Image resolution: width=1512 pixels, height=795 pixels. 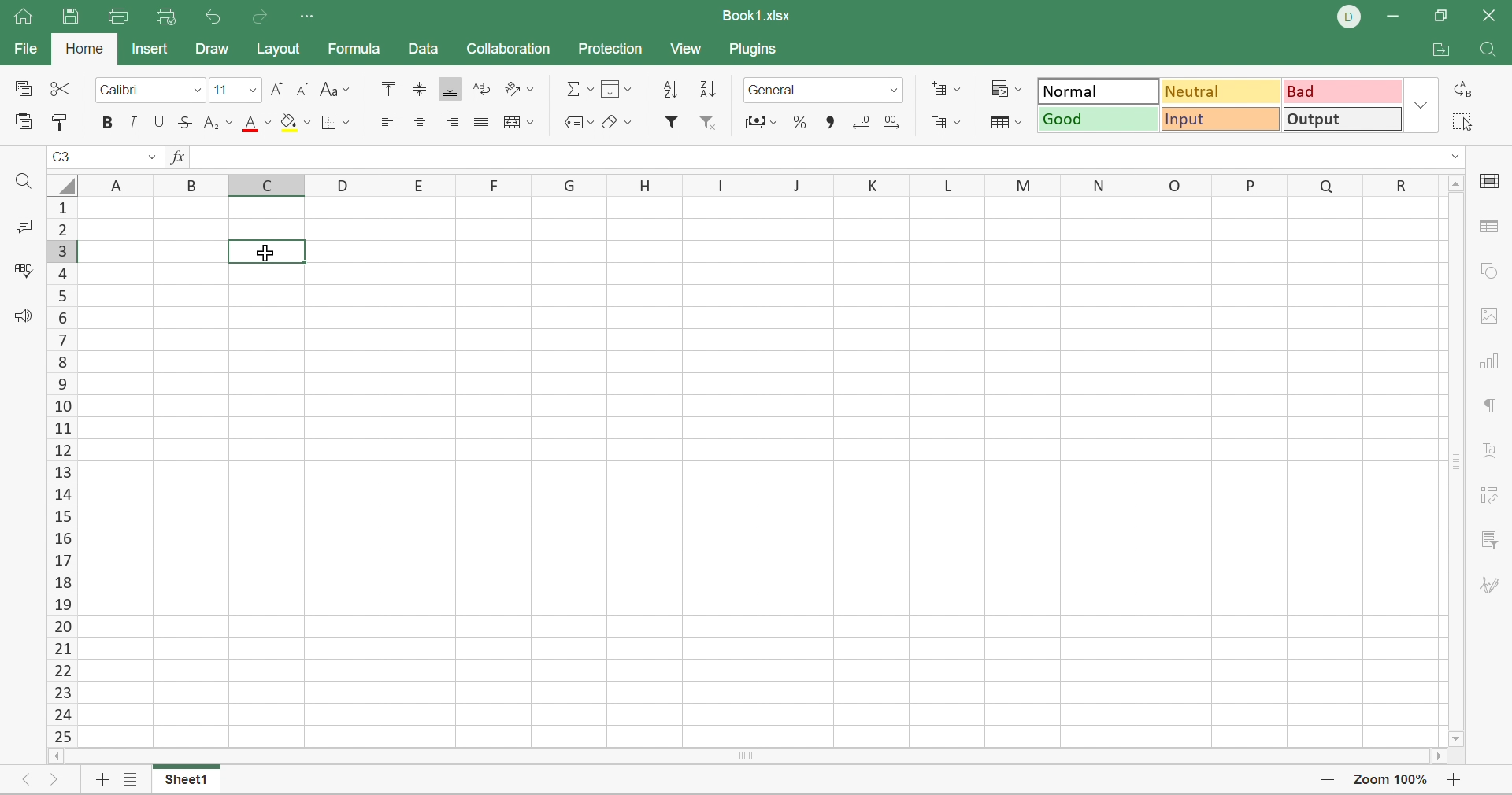 What do you see at coordinates (124, 91) in the screenshot?
I see `Calibri` at bounding box center [124, 91].